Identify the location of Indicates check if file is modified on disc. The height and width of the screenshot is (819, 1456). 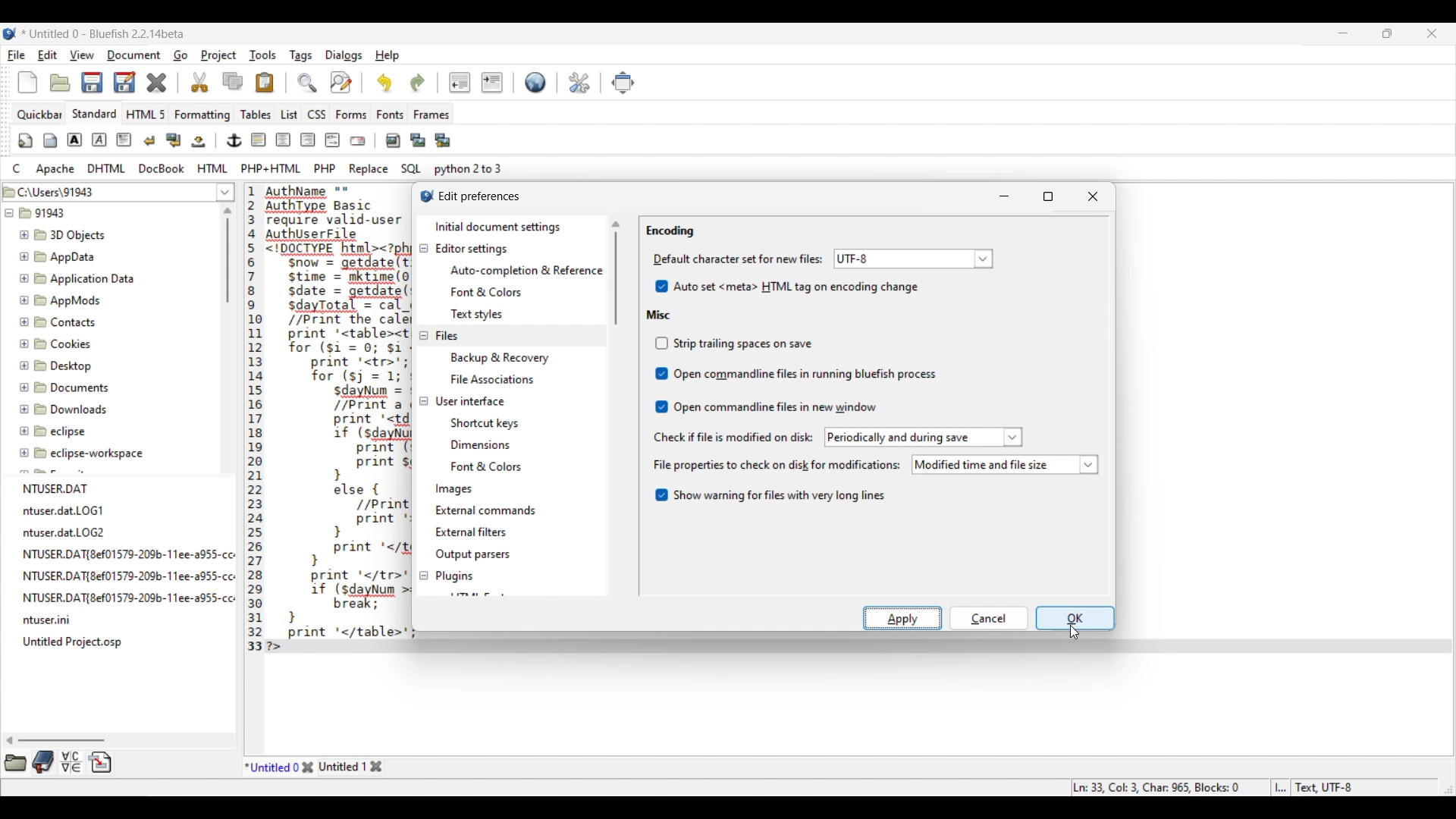
(733, 438).